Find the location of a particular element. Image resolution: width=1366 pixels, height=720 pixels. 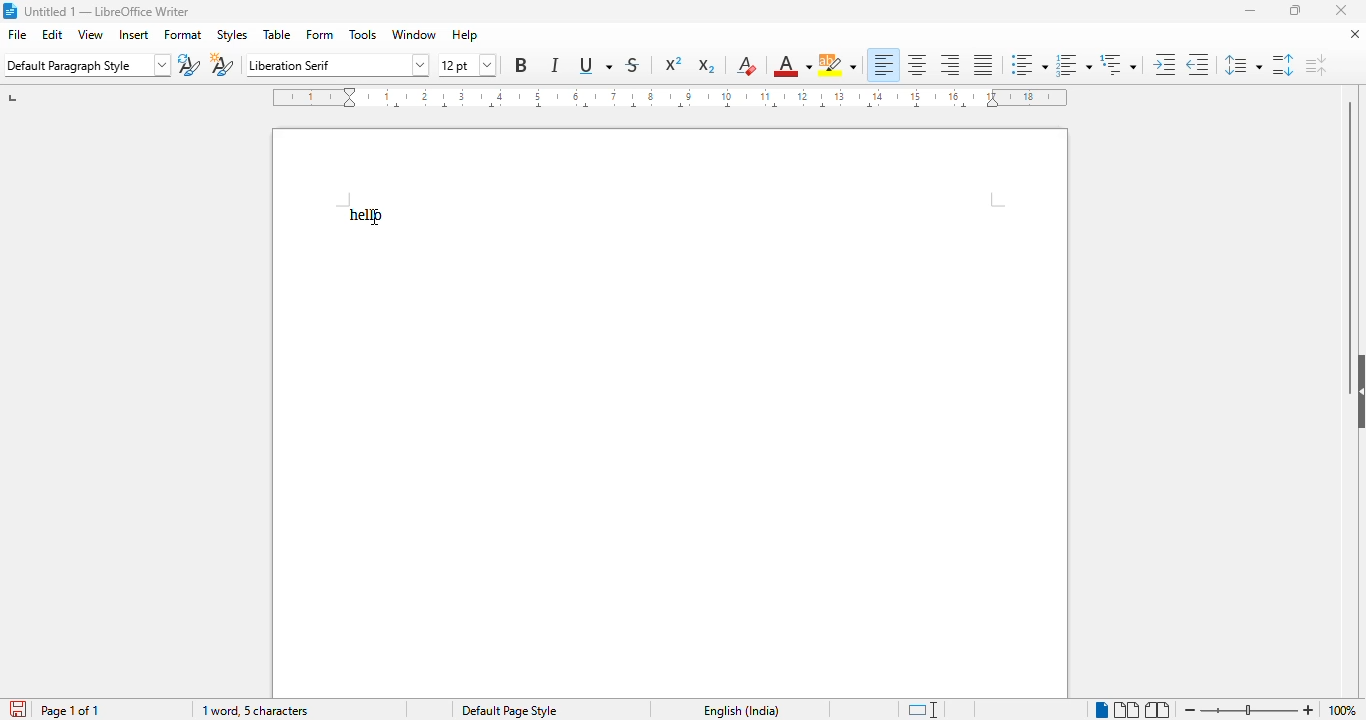

edit is located at coordinates (53, 34).